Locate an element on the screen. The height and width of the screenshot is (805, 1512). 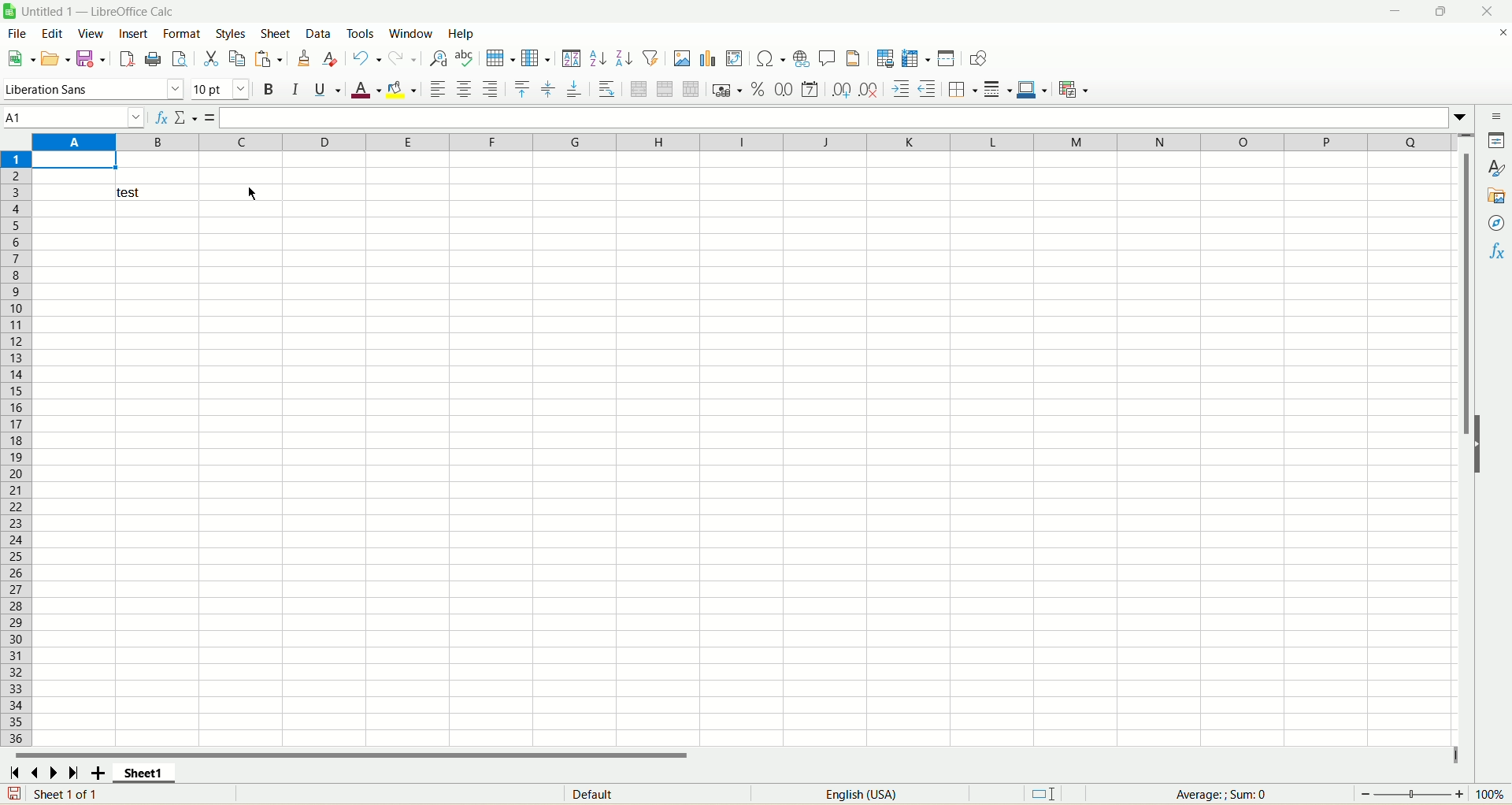
file is located at coordinates (17, 33).